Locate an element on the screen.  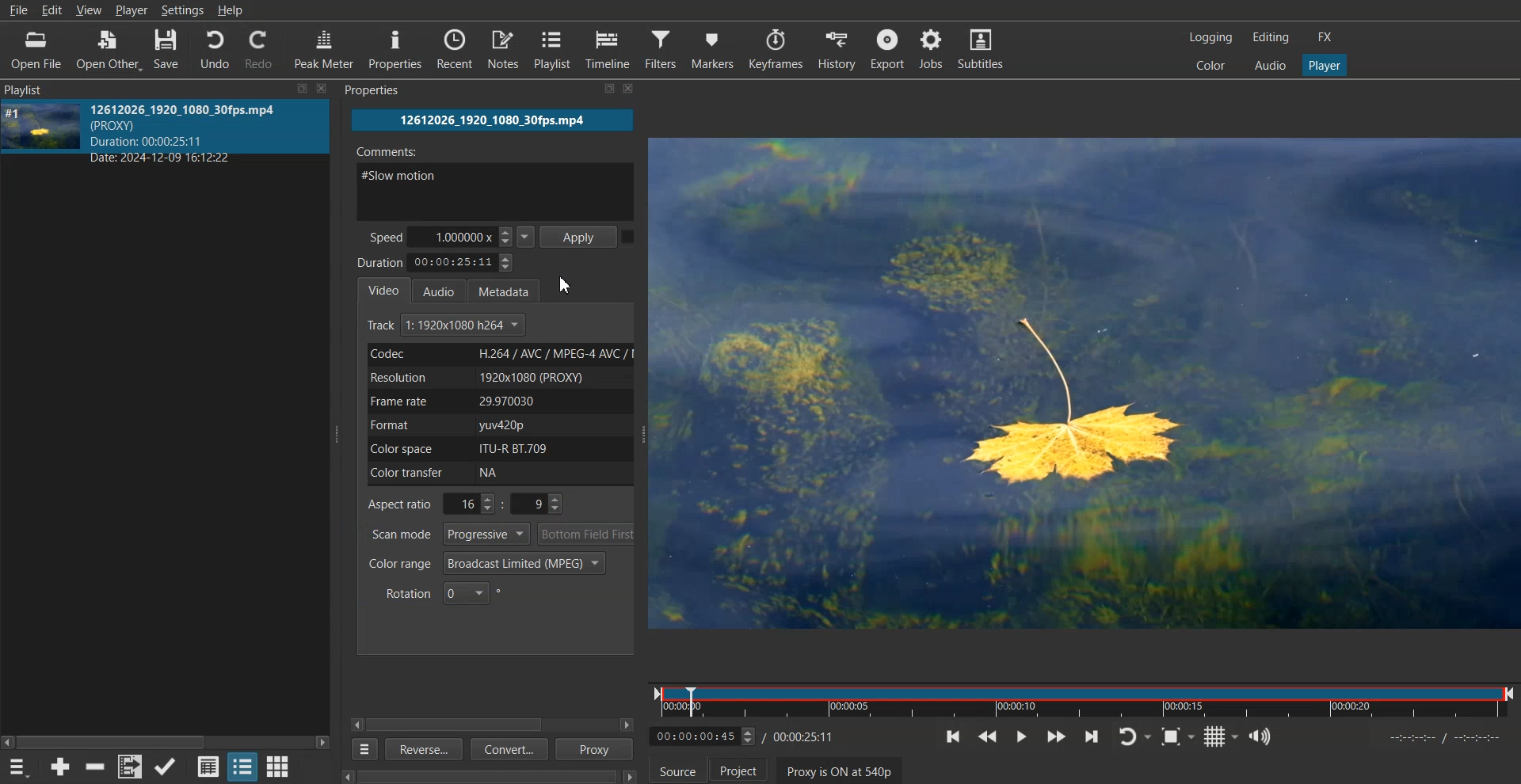
Track is located at coordinates (448, 325).